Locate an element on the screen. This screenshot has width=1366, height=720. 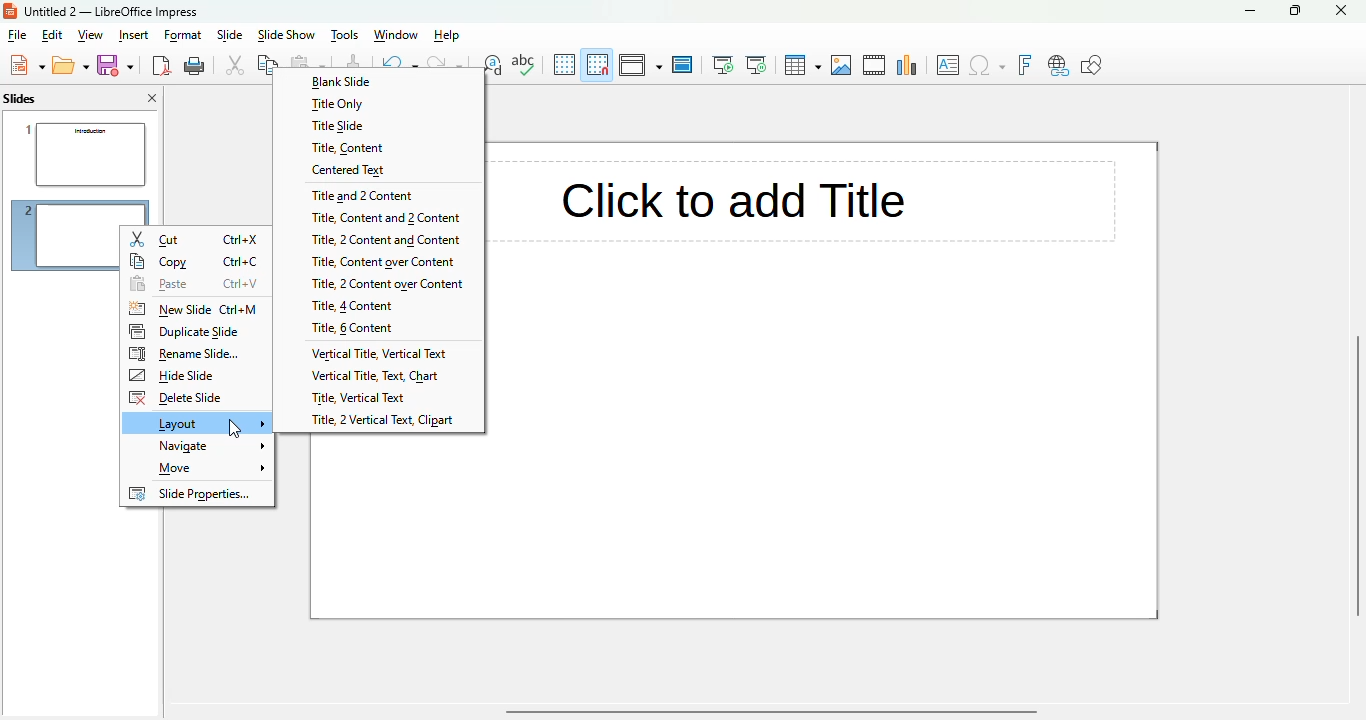
new slide is located at coordinates (195, 309).